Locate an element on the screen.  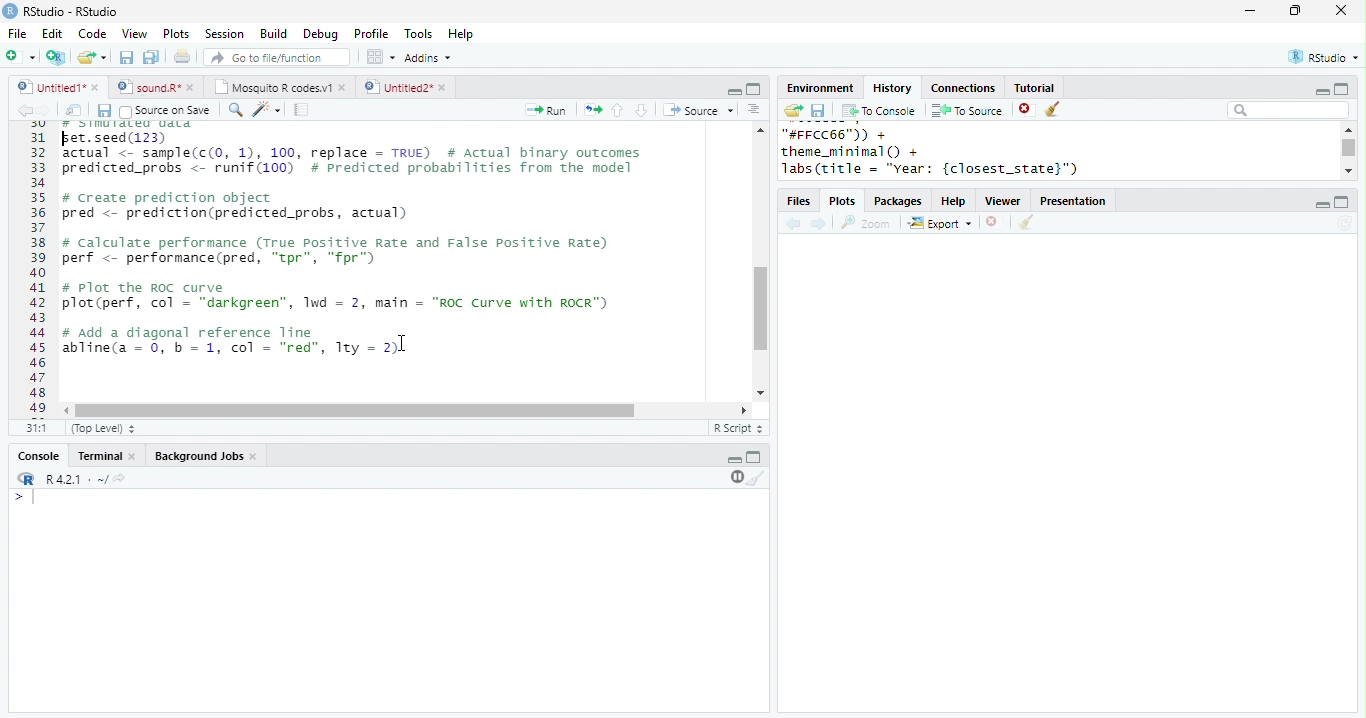
search file is located at coordinates (278, 57).